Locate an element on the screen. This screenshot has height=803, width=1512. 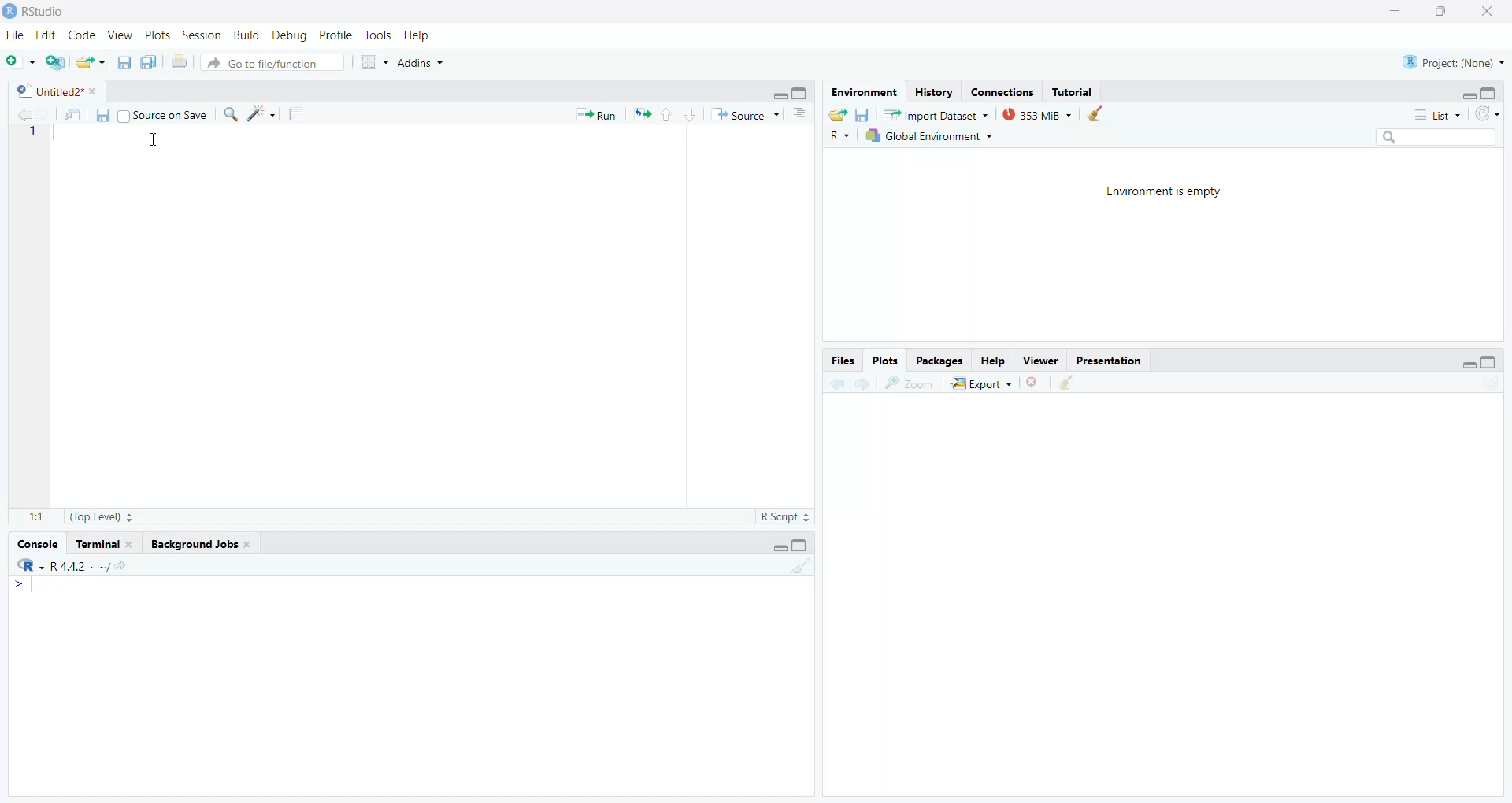
Viewer is located at coordinates (1041, 359).